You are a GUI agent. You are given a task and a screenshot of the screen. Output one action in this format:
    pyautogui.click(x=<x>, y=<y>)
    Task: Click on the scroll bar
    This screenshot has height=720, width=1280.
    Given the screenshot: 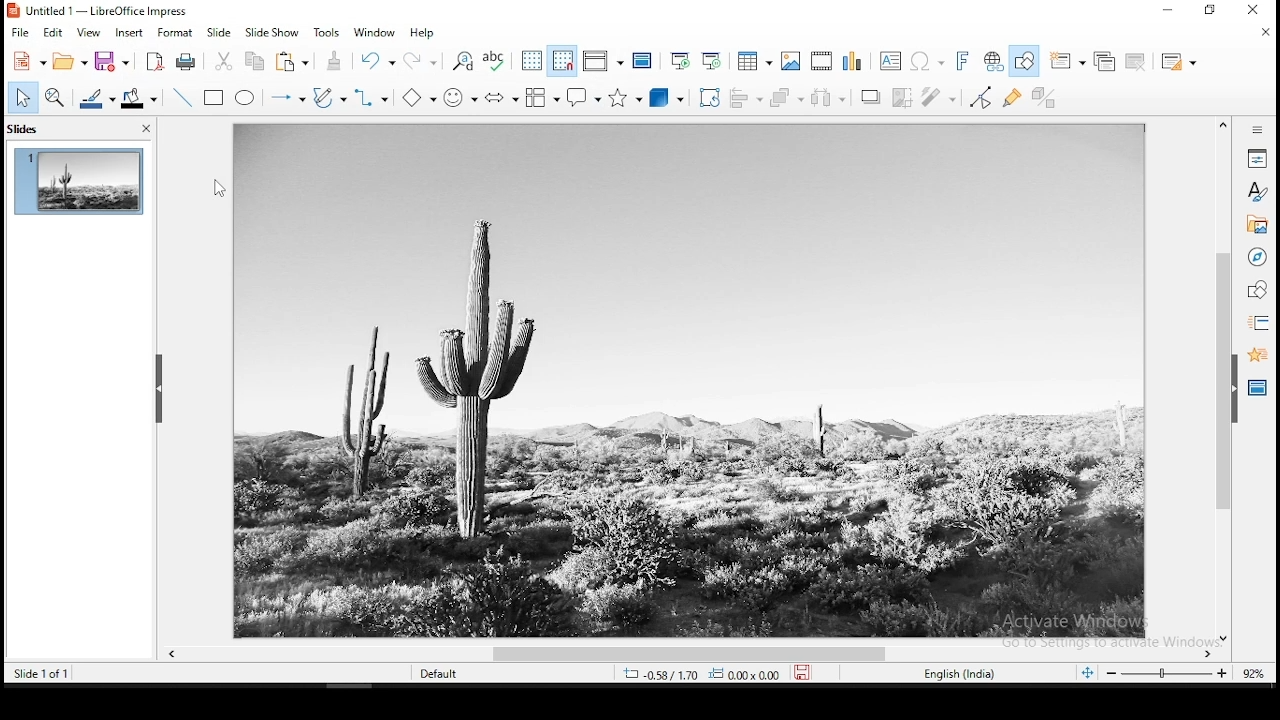 What is the action you would take?
    pyautogui.click(x=1223, y=378)
    